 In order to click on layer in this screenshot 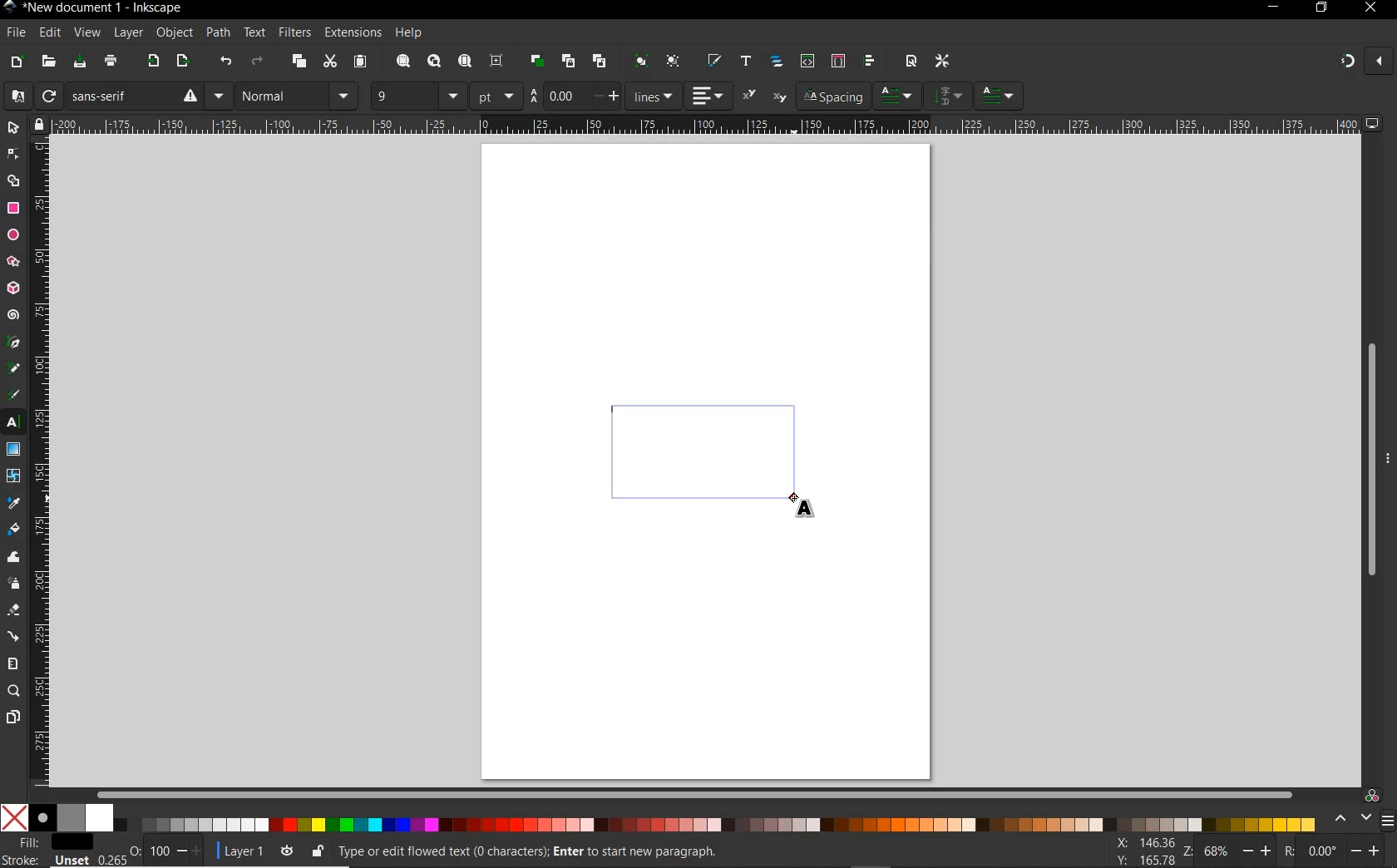, I will do `click(124, 32)`.